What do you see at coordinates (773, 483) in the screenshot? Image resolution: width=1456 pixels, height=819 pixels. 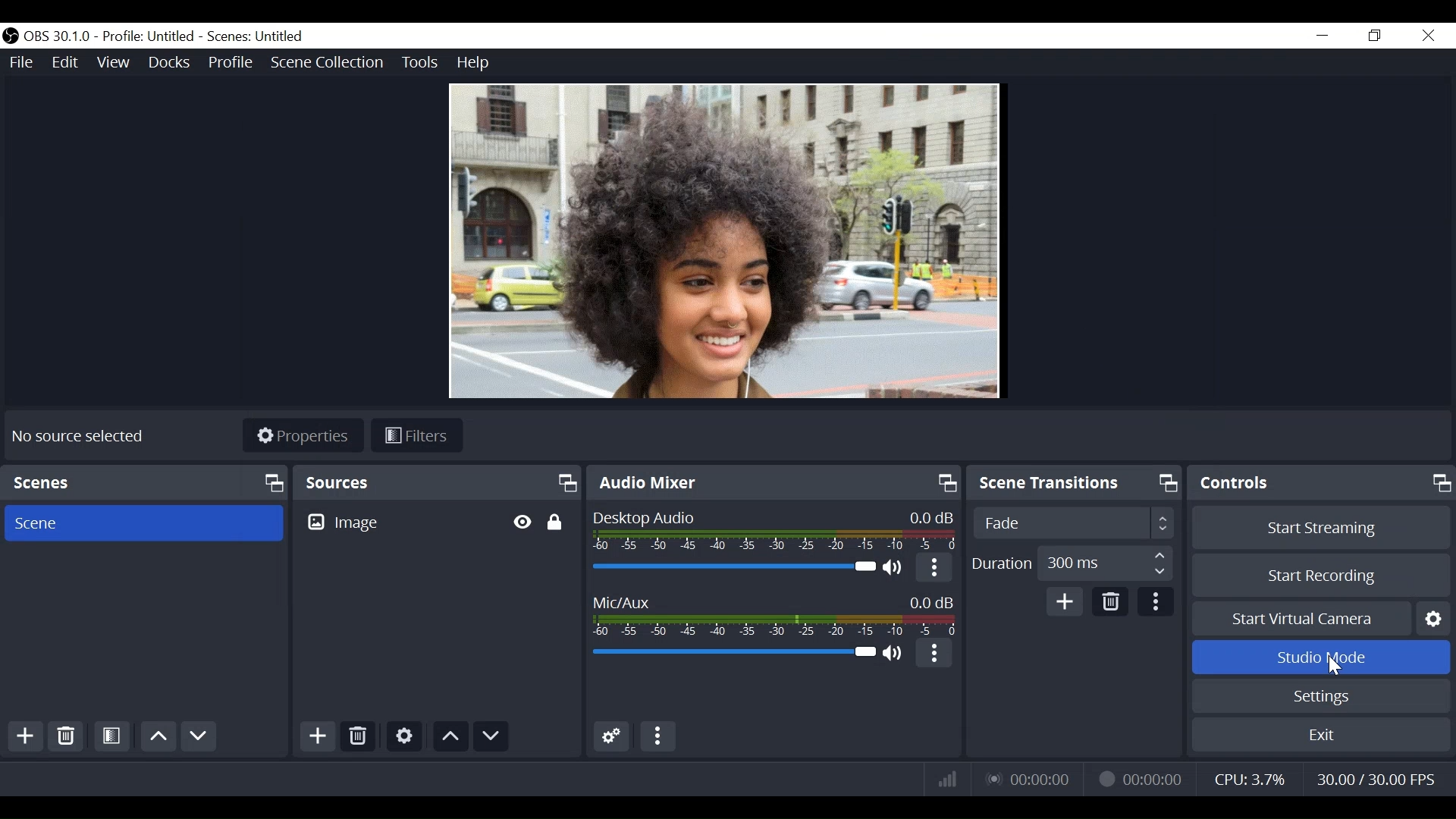 I see `Audio Mixer` at bounding box center [773, 483].